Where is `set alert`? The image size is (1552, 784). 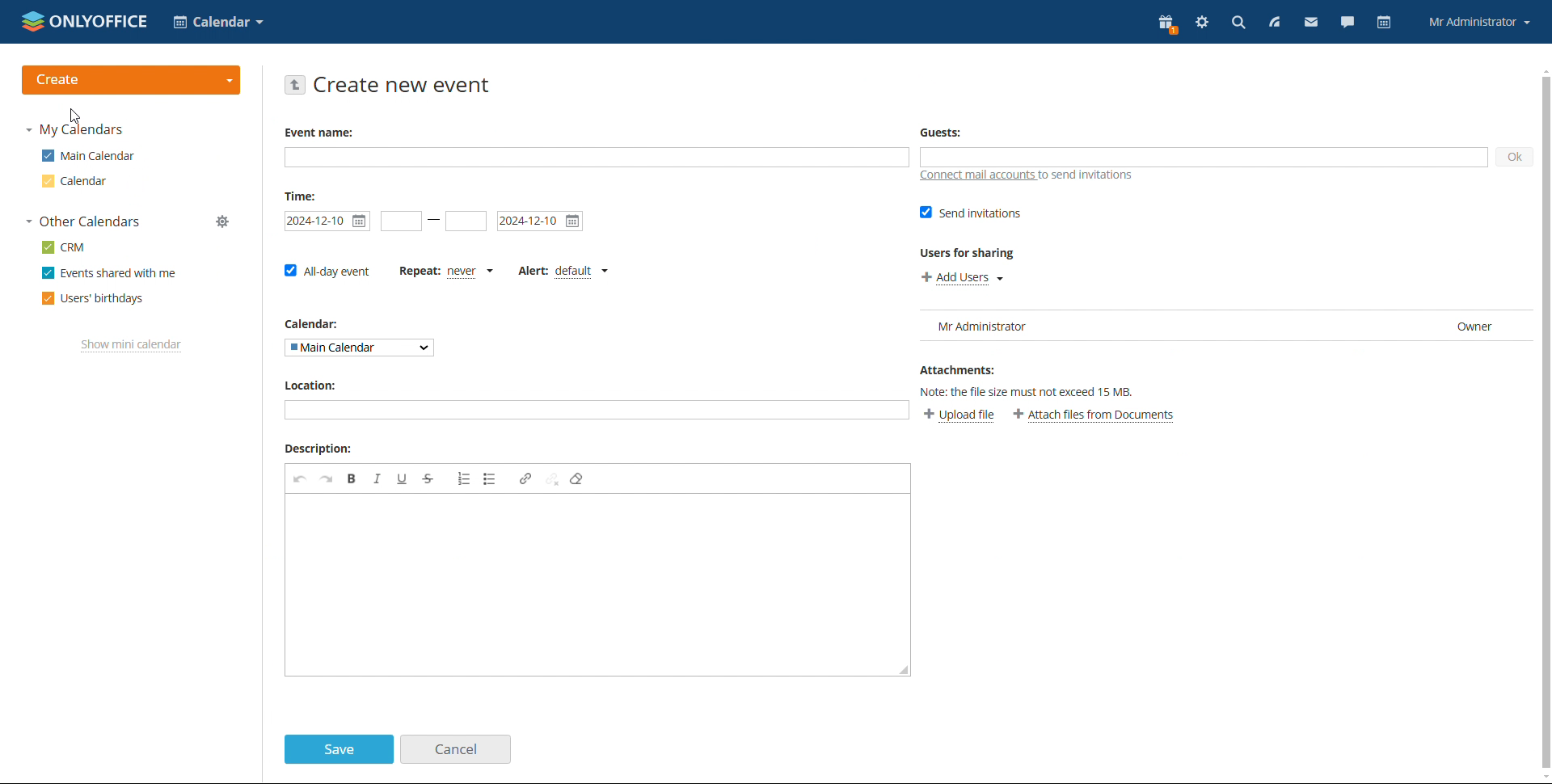
set alert is located at coordinates (563, 272).